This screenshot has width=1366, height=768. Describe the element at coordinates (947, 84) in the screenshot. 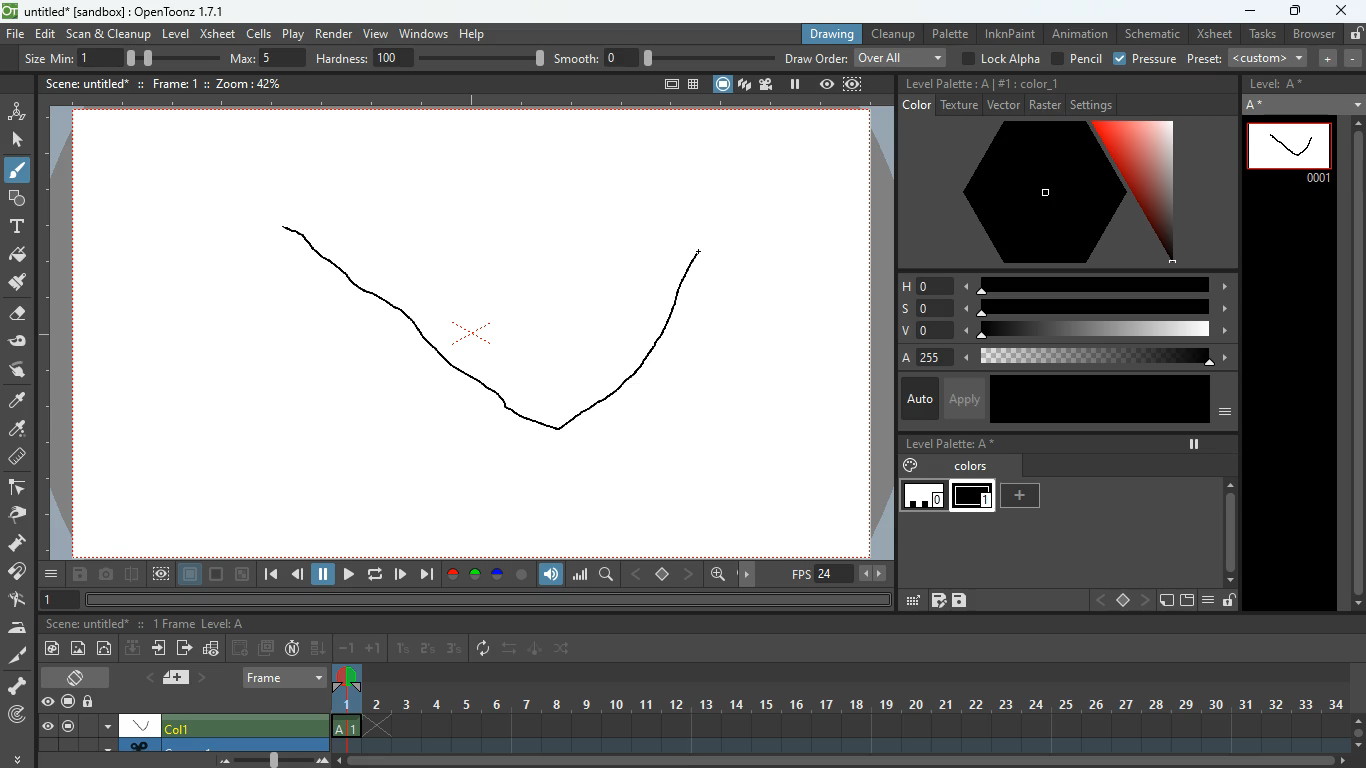

I see `cleanup palette` at that location.